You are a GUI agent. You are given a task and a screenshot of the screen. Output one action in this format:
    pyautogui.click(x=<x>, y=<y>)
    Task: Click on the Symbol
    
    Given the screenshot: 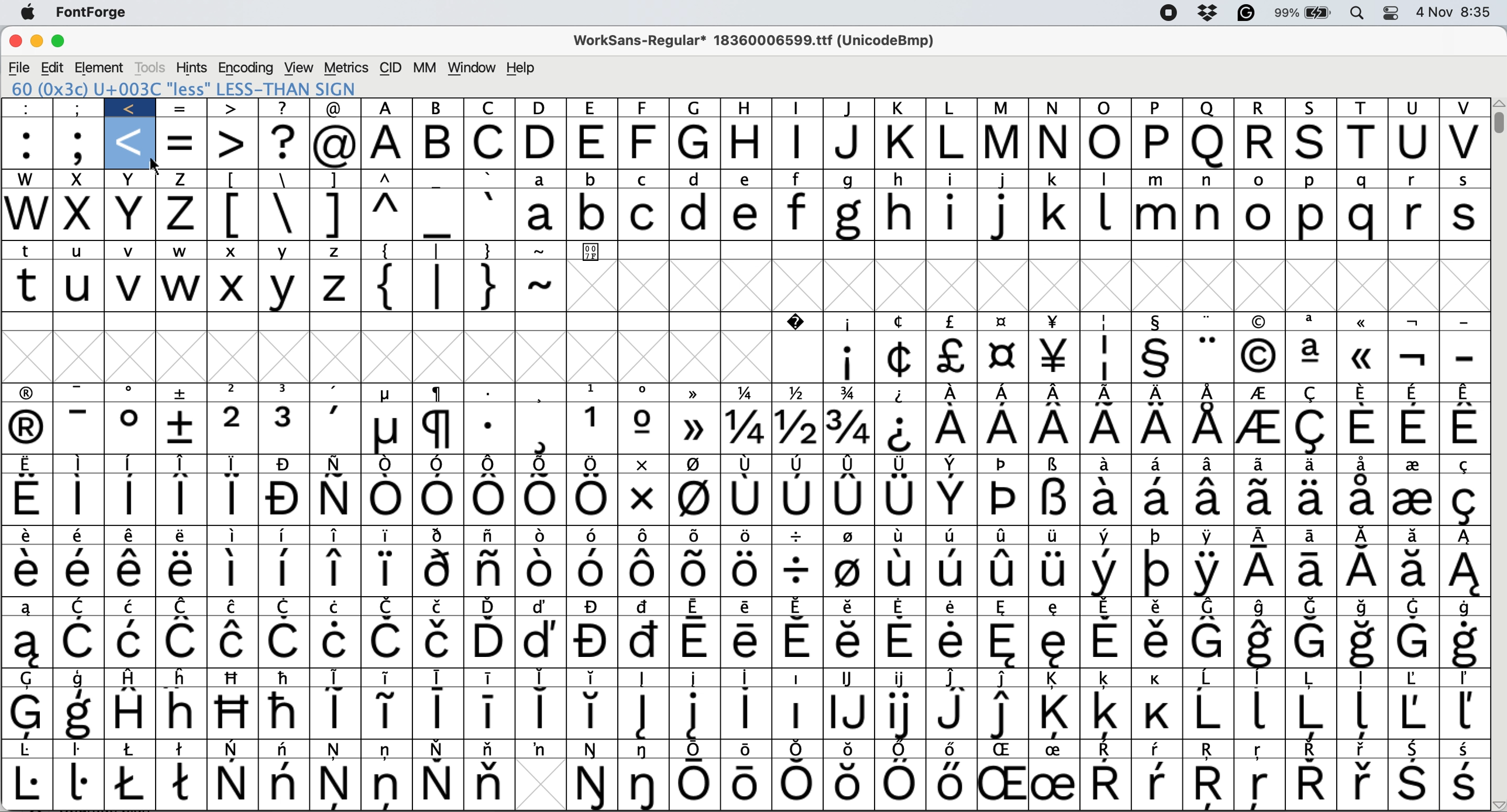 What is the action you would take?
    pyautogui.click(x=1003, y=679)
    